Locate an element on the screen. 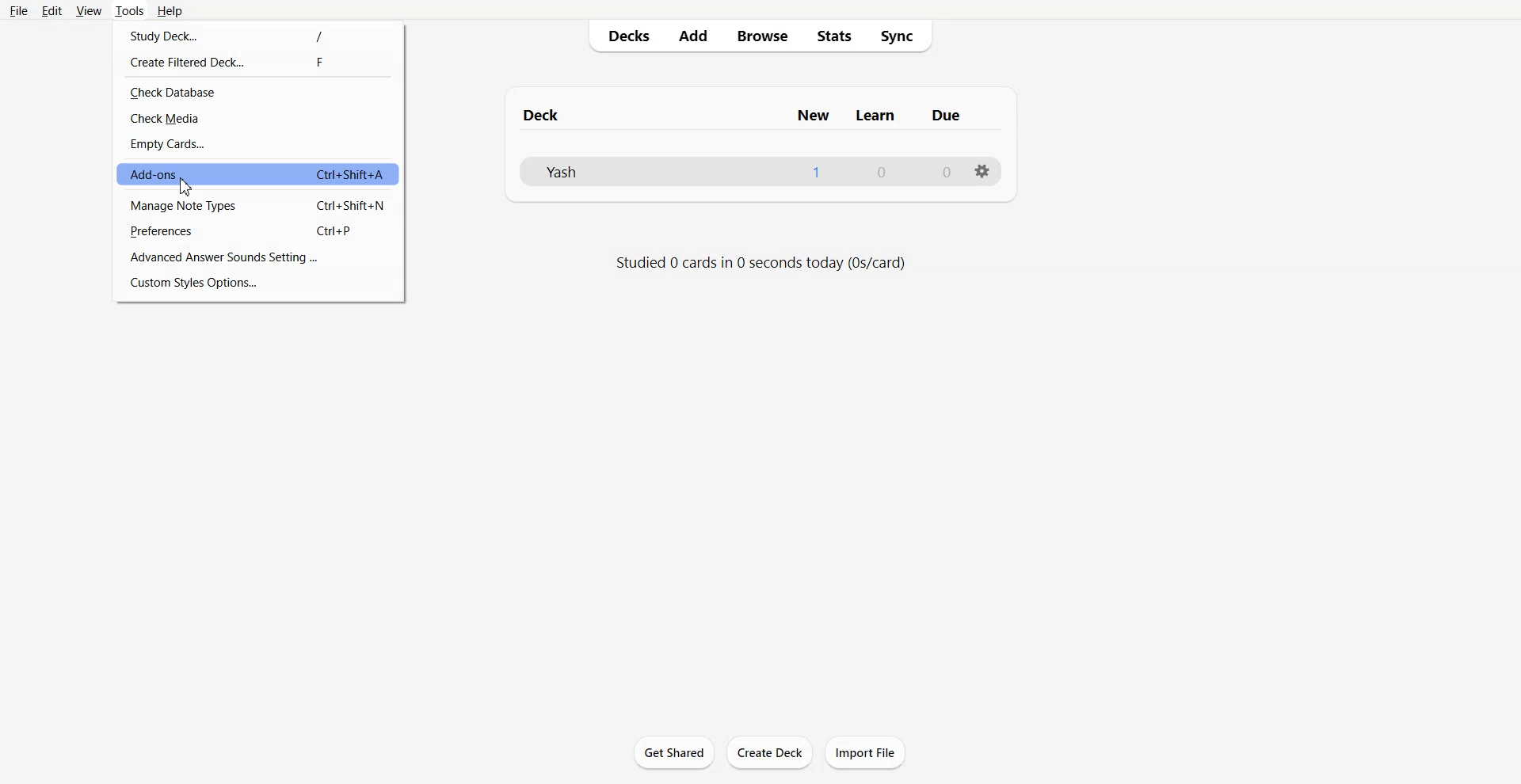 This screenshot has height=784, width=1521. Settings is located at coordinates (984, 171).